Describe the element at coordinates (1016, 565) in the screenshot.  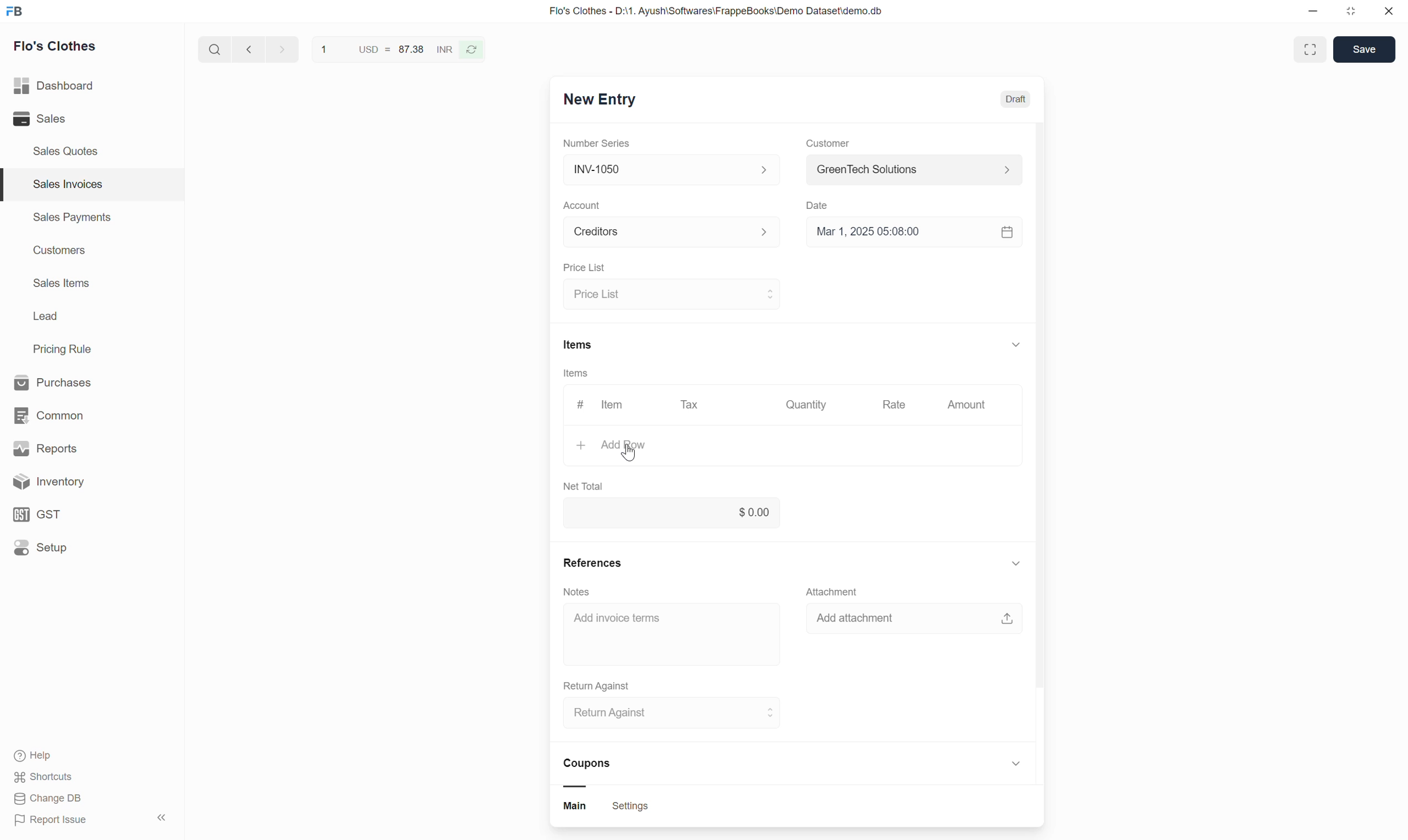
I see `show or hide references ` at that location.